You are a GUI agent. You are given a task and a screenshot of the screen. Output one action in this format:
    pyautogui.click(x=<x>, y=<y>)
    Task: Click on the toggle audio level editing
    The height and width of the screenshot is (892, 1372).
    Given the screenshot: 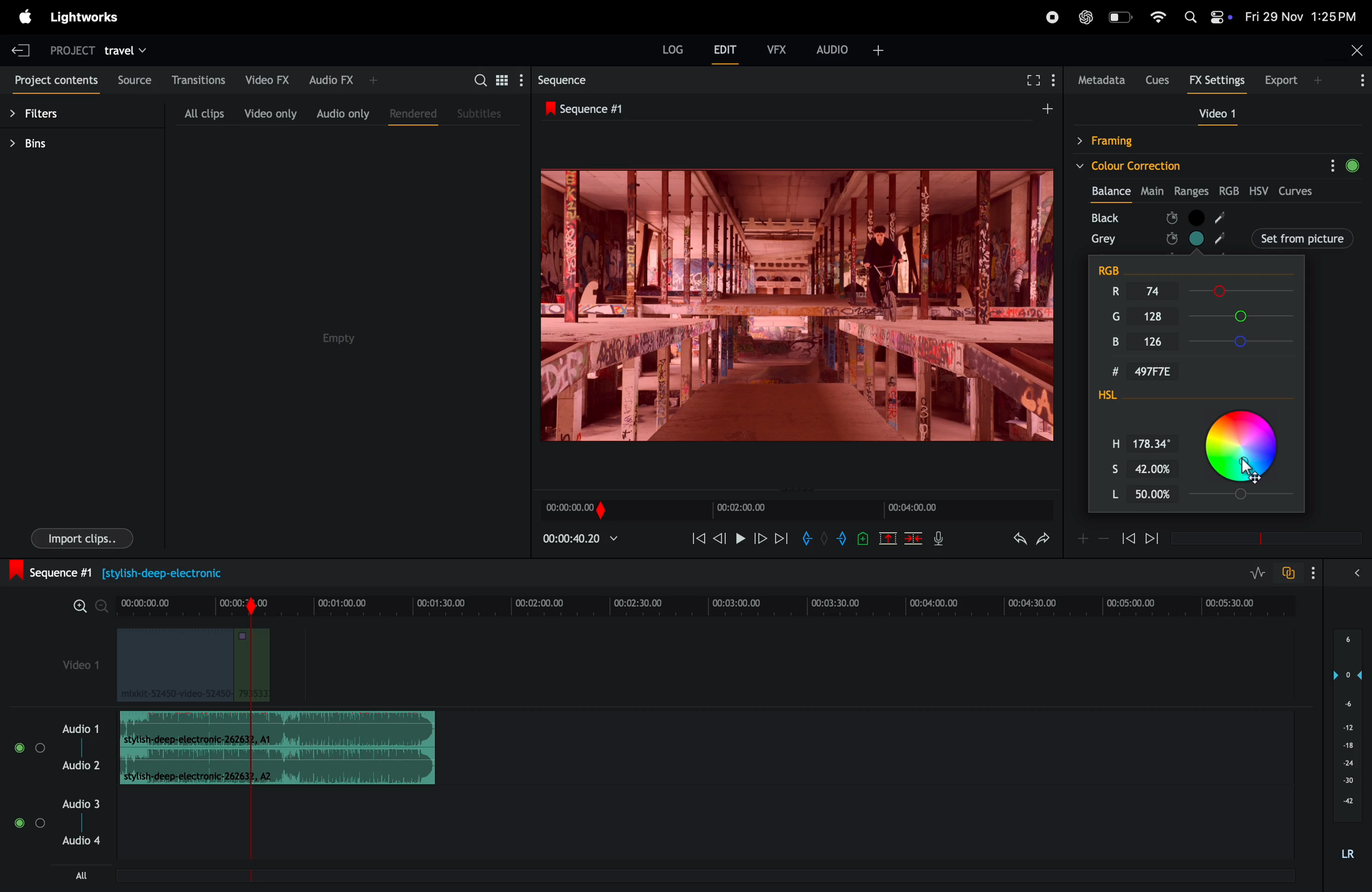 What is the action you would take?
    pyautogui.click(x=1259, y=572)
    